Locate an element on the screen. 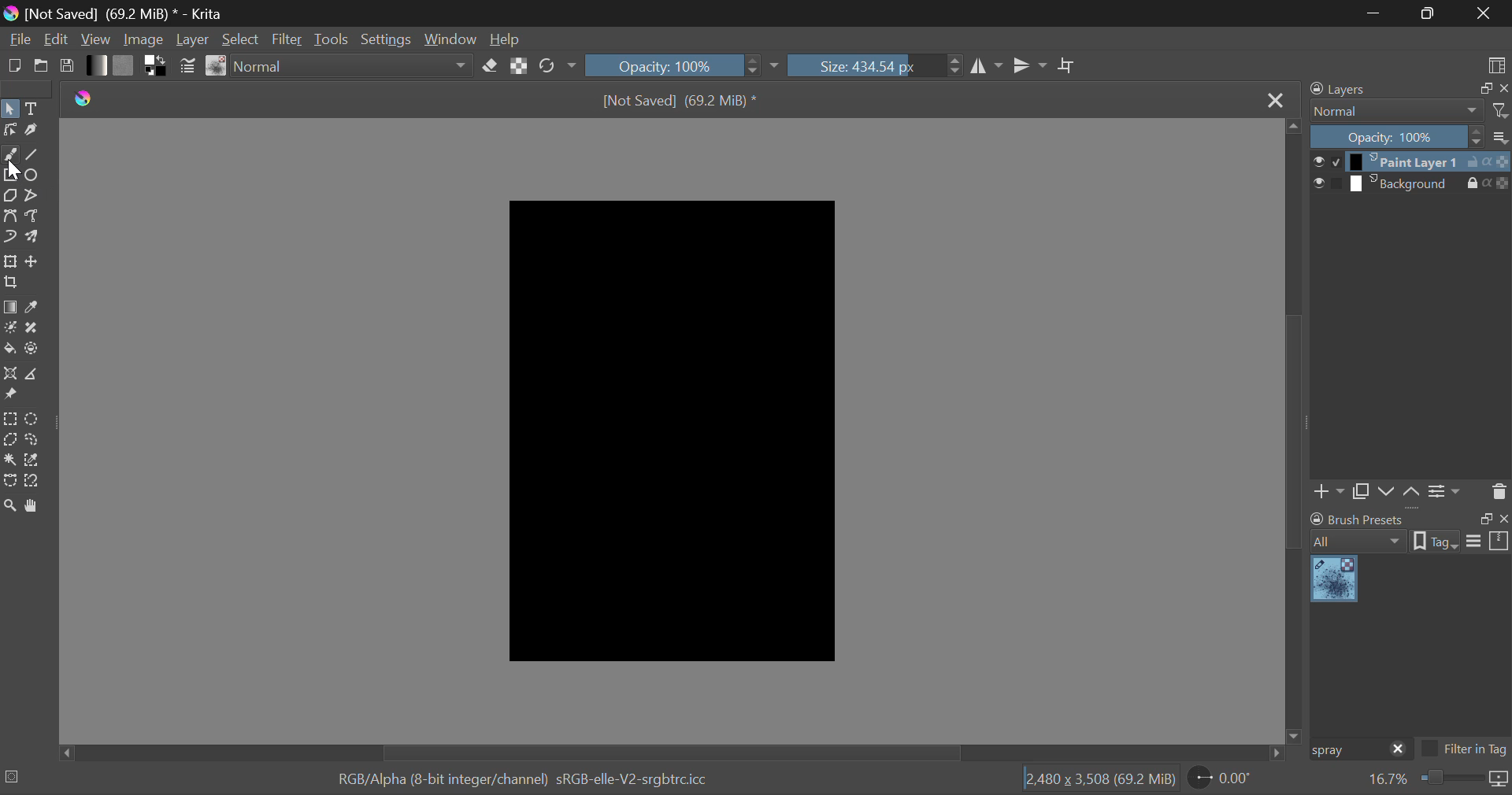  Layers is located at coordinates (1347, 88).